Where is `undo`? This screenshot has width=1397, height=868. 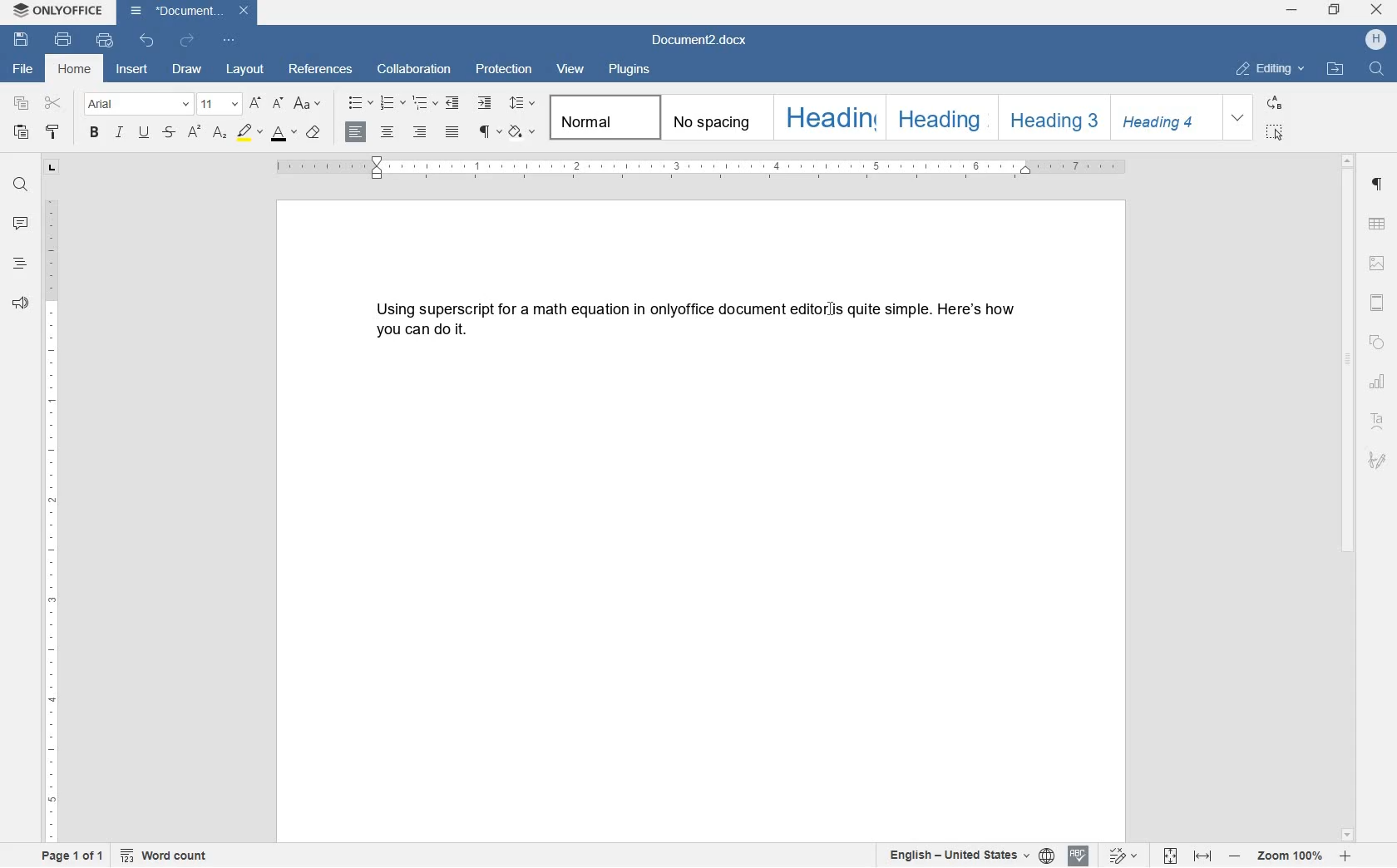 undo is located at coordinates (147, 40).